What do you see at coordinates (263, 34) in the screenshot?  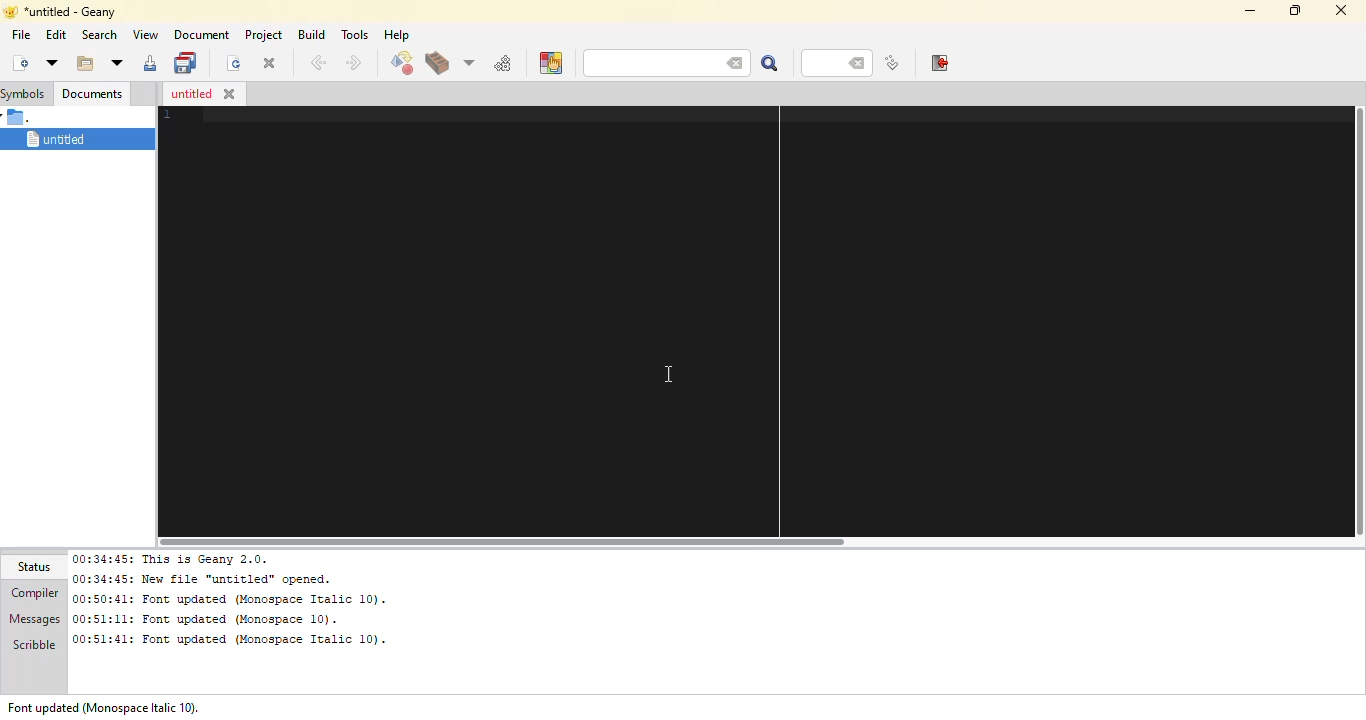 I see `project` at bounding box center [263, 34].